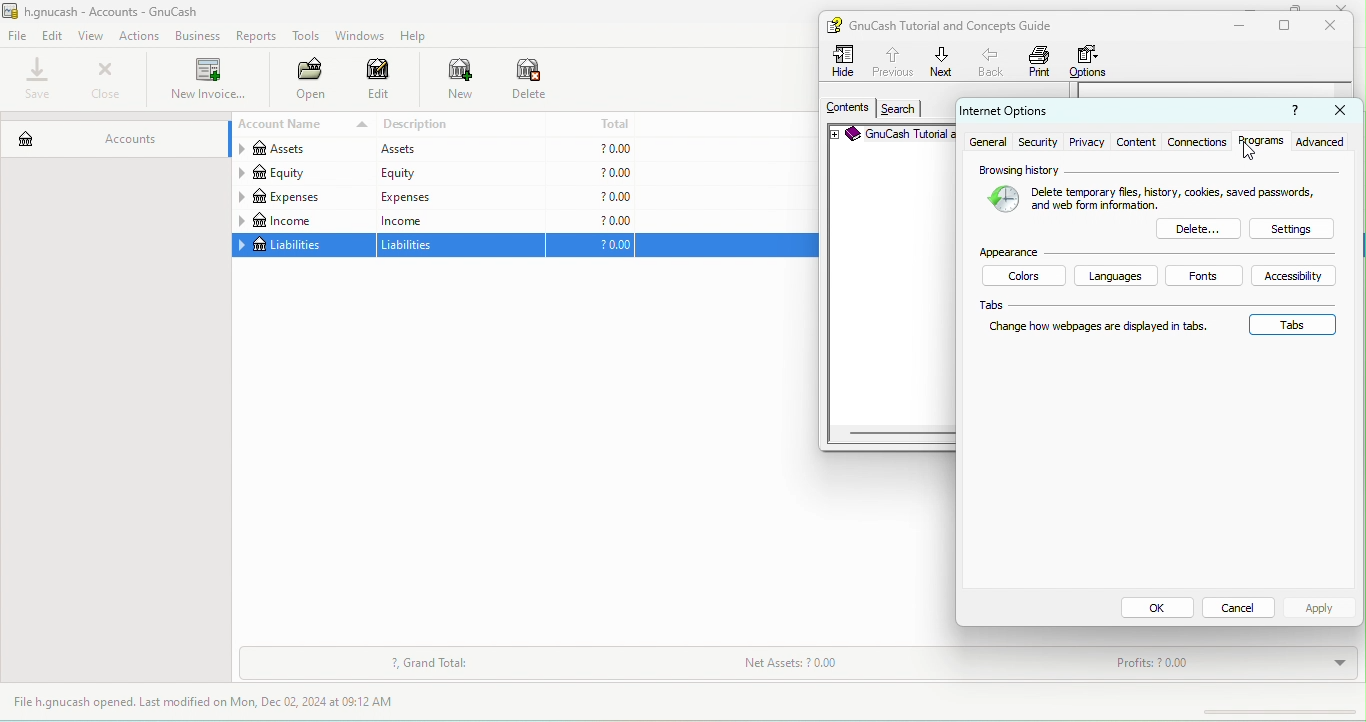  Describe the element at coordinates (1023, 275) in the screenshot. I see `colors` at that location.